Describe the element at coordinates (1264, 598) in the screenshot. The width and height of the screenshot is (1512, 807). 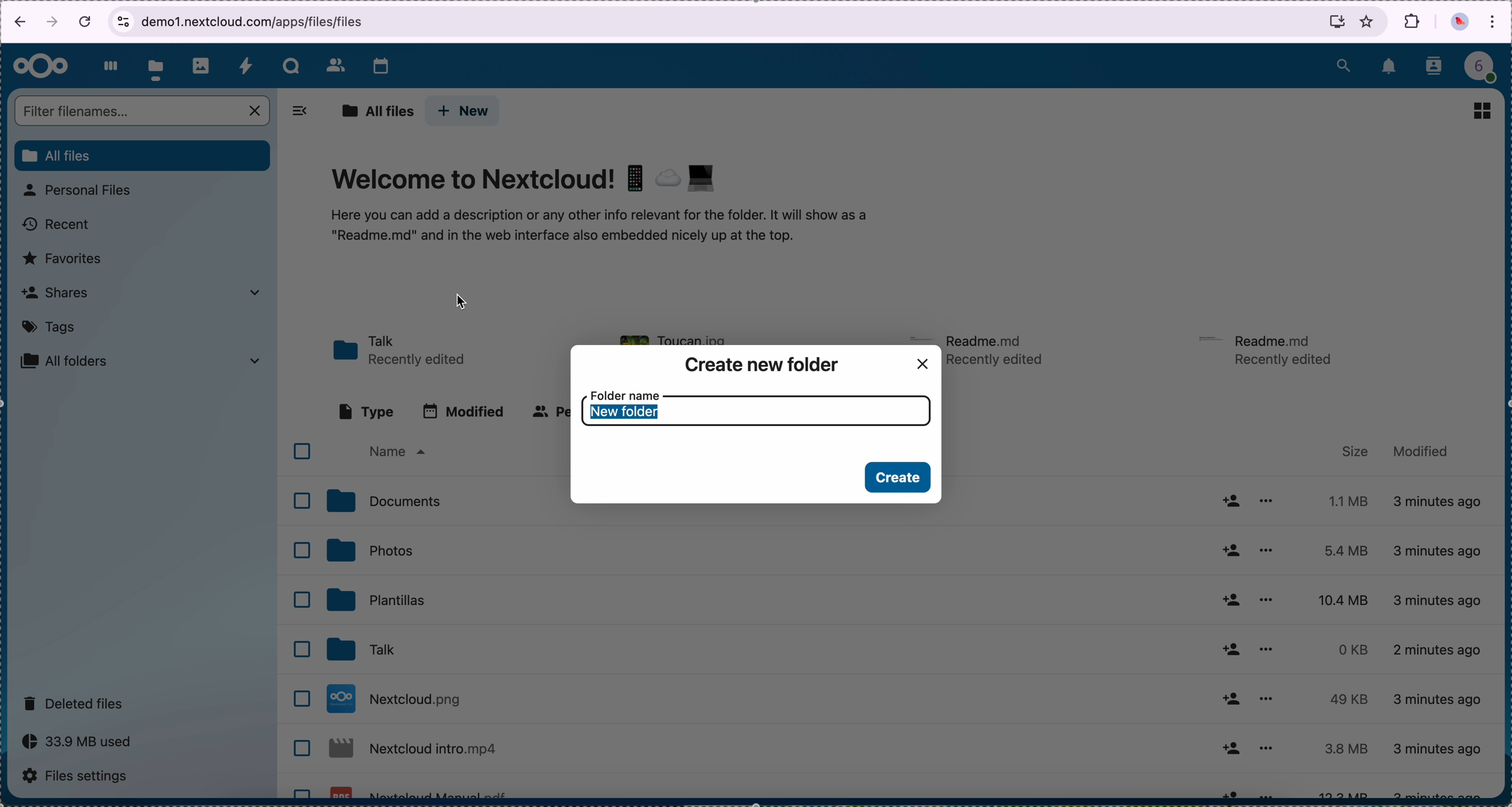
I see `more options` at that location.